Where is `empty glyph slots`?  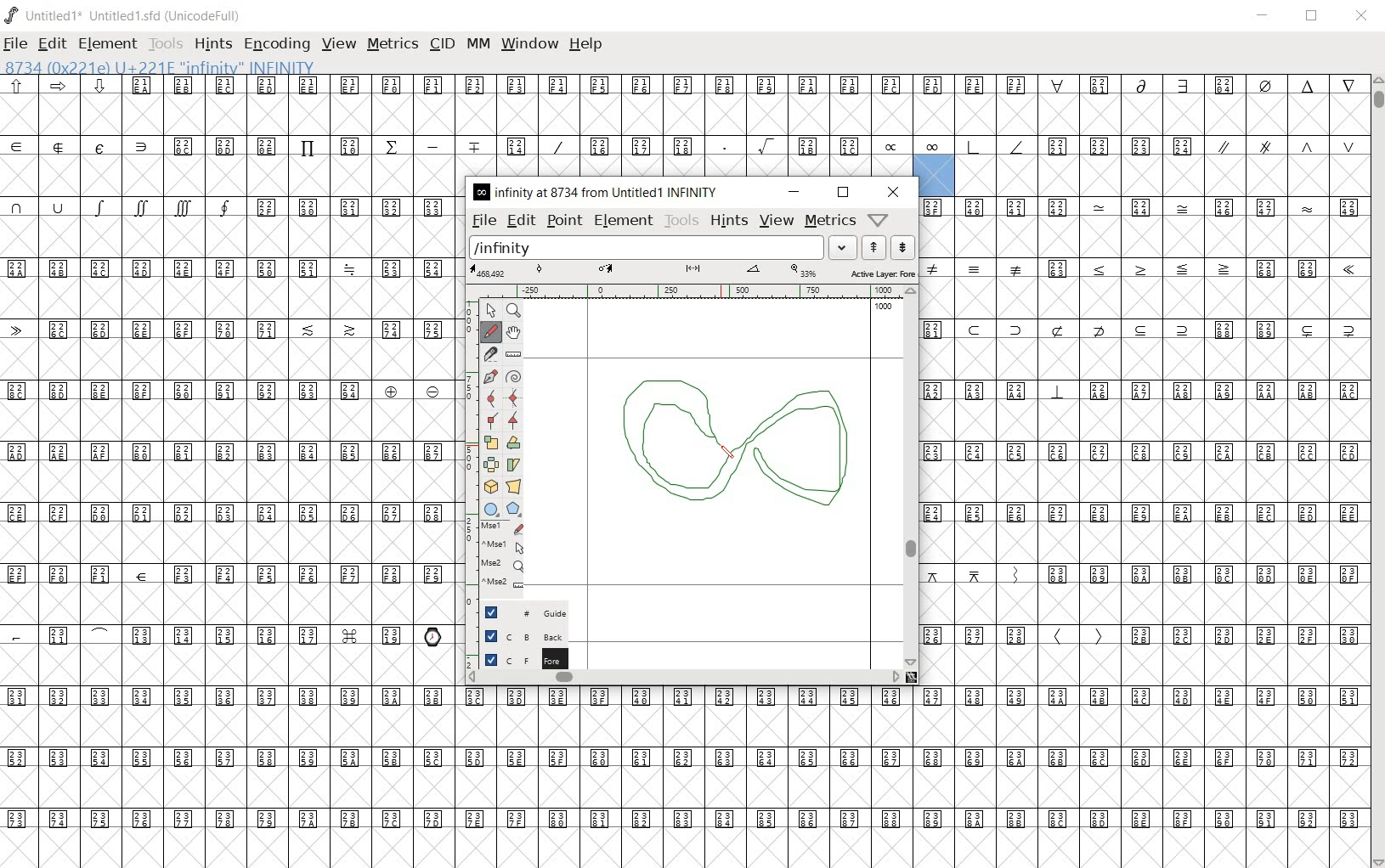
empty glyph slots is located at coordinates (1144, 667).